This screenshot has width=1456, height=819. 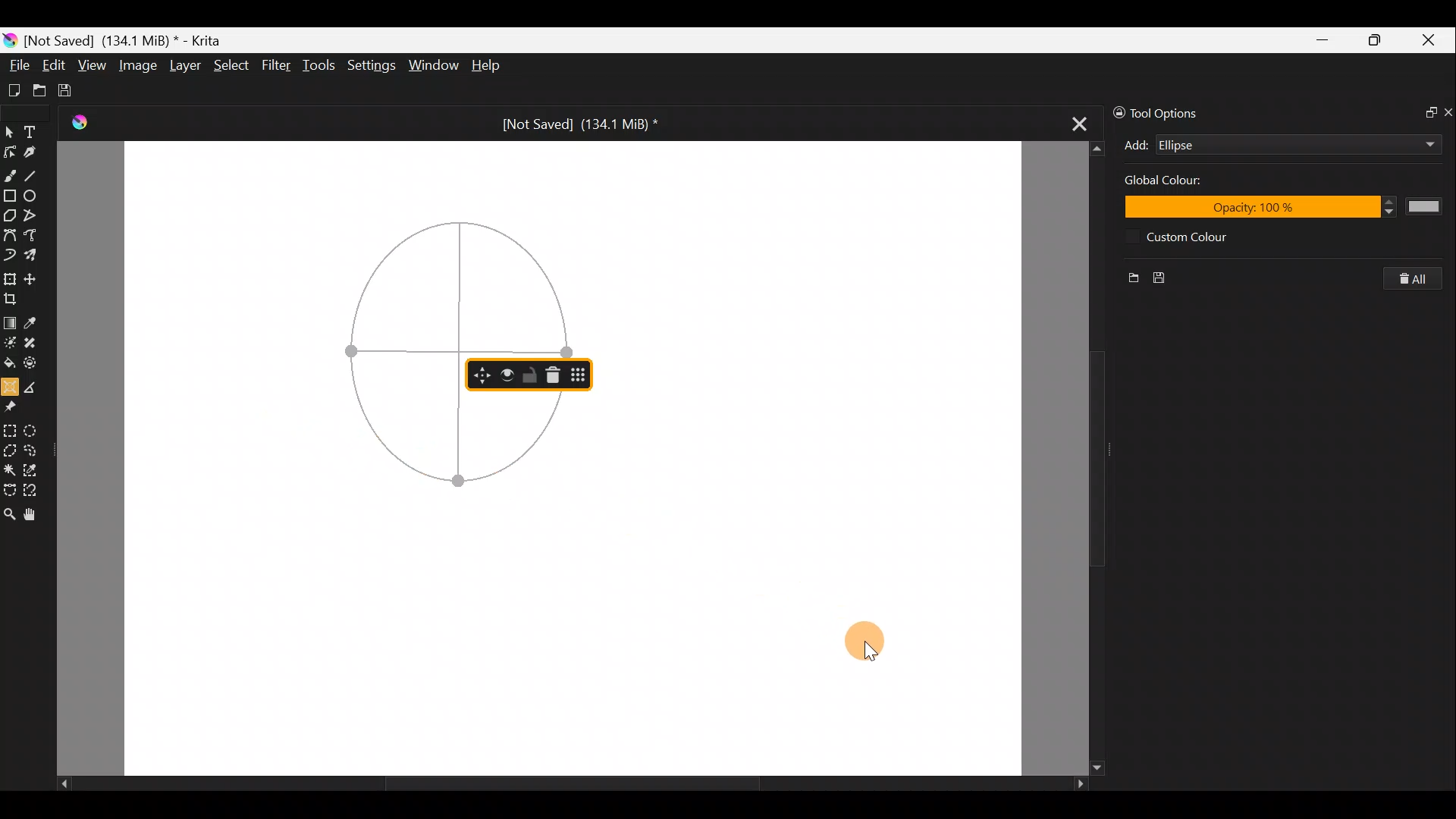 What do you see at coordinates (77, 123) in the screenshot?
I see `Krita Logo` at bounding box center [77, 123].